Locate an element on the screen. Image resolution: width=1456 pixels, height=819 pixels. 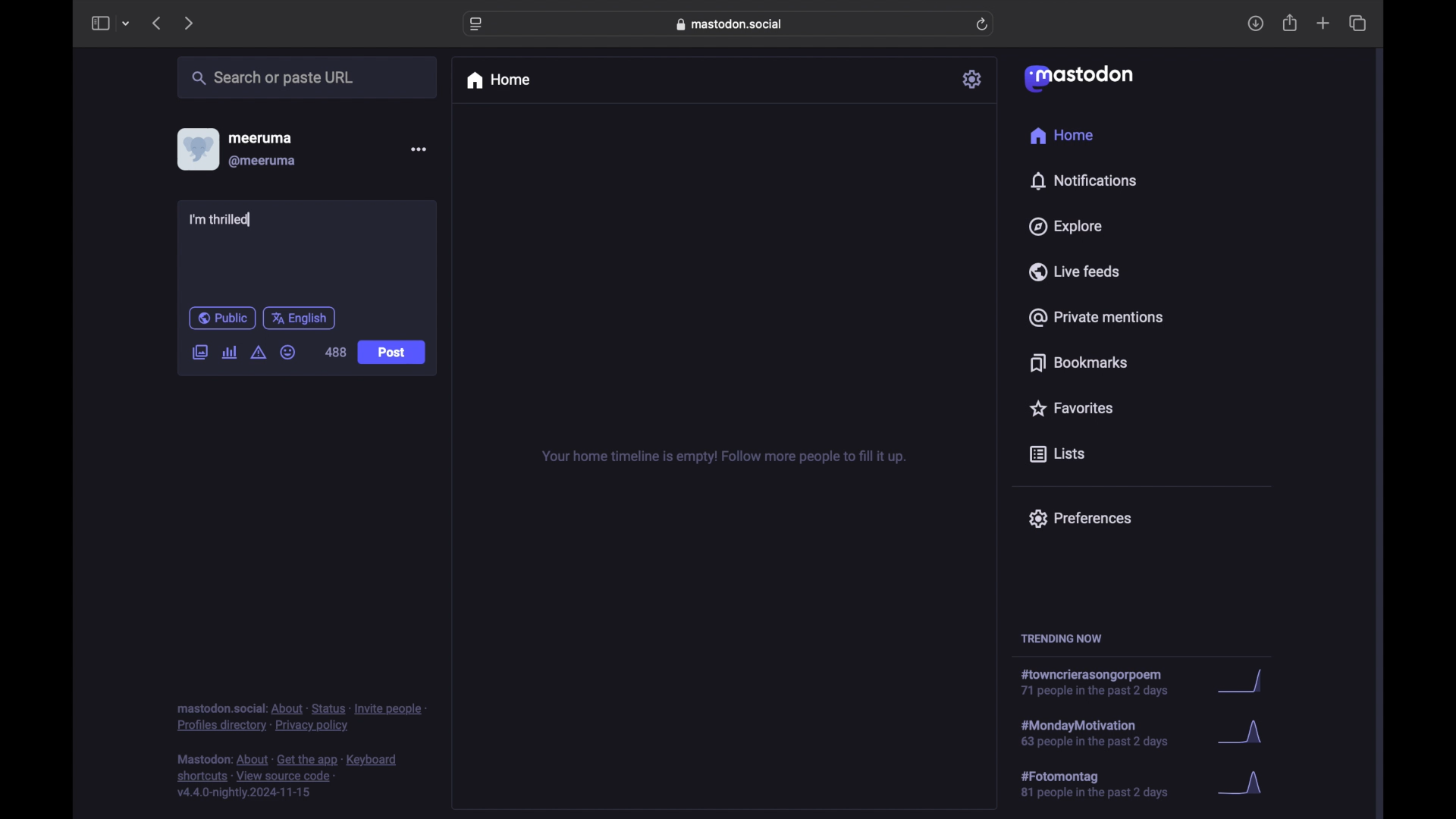
share is located at coordinates (1291, 23).